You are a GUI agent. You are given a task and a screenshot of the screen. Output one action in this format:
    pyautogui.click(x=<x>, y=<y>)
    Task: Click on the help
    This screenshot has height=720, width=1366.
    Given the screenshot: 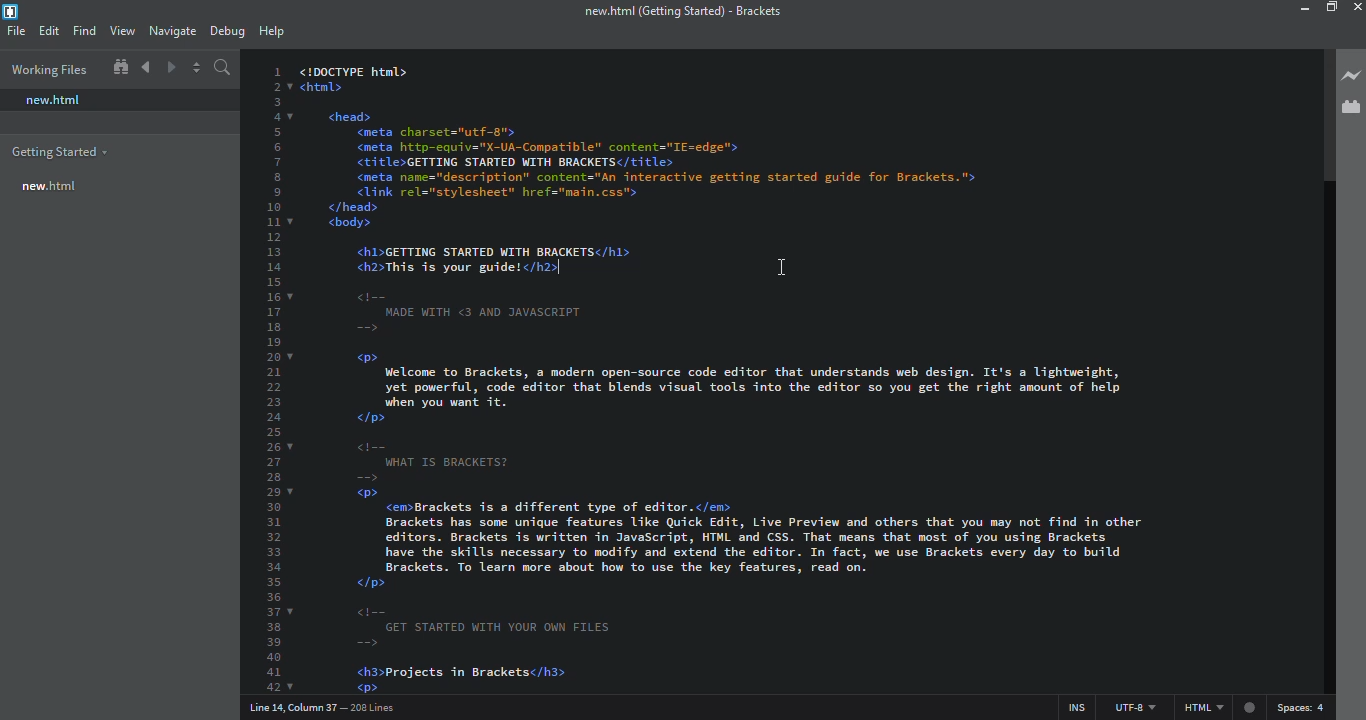 What is the action you would take?
    pyautogui.click(x=275, y=28)
    